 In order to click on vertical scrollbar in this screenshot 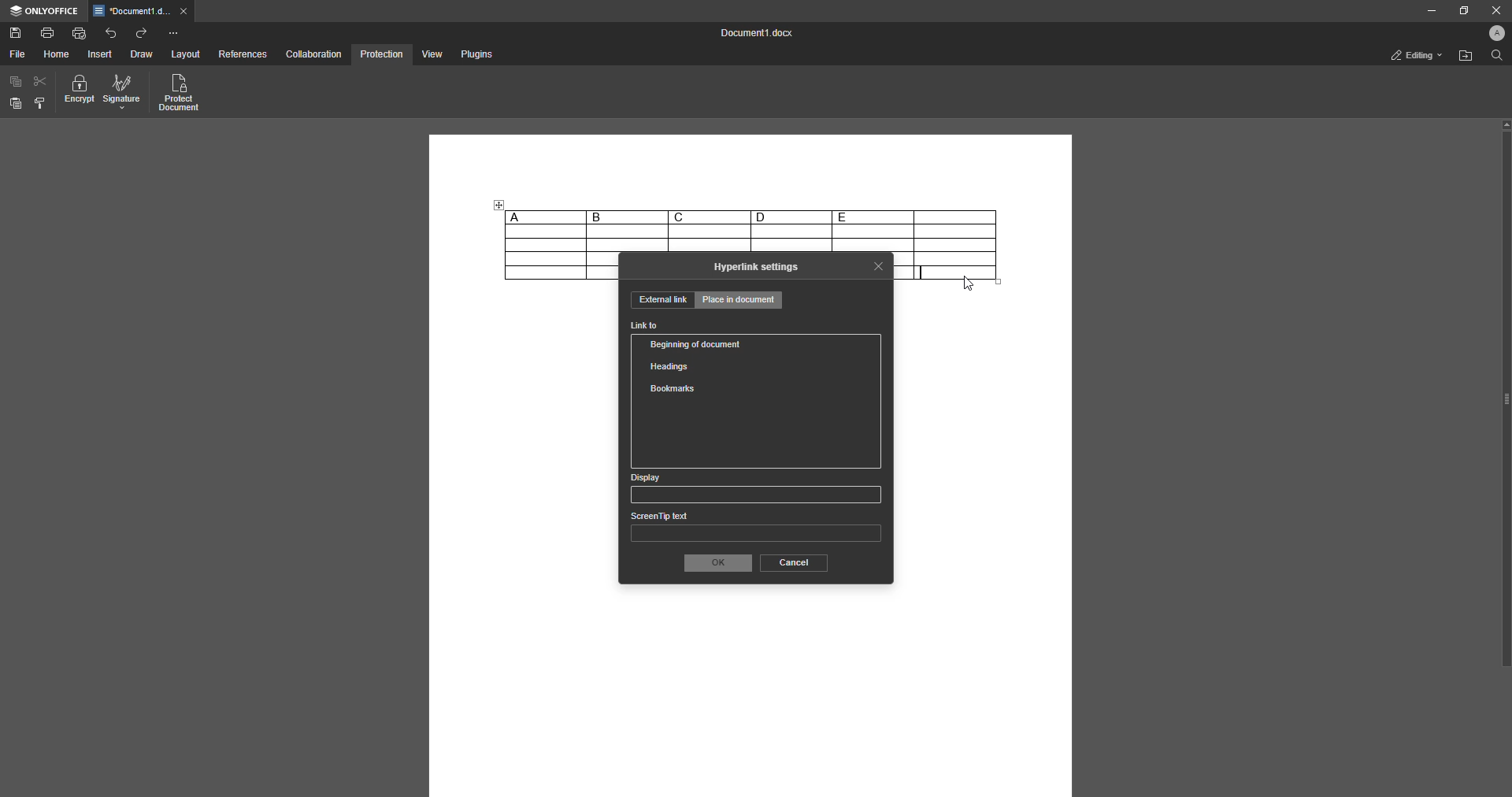, I will do `click(1505, 393)`.